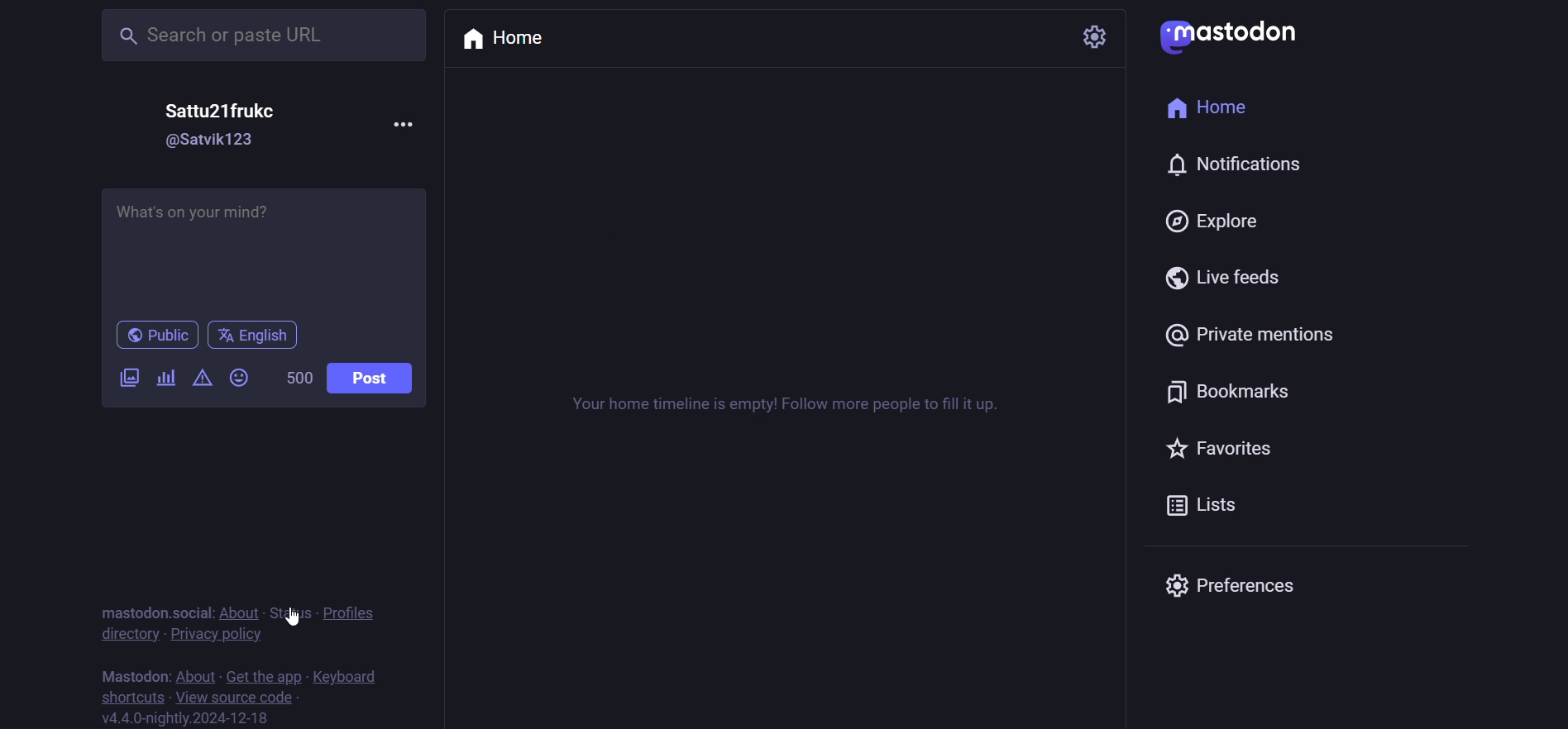 The image size is (1568, 729). Describe the element at coordinates (265, 35) in the screenshot. I see `search` at that location.